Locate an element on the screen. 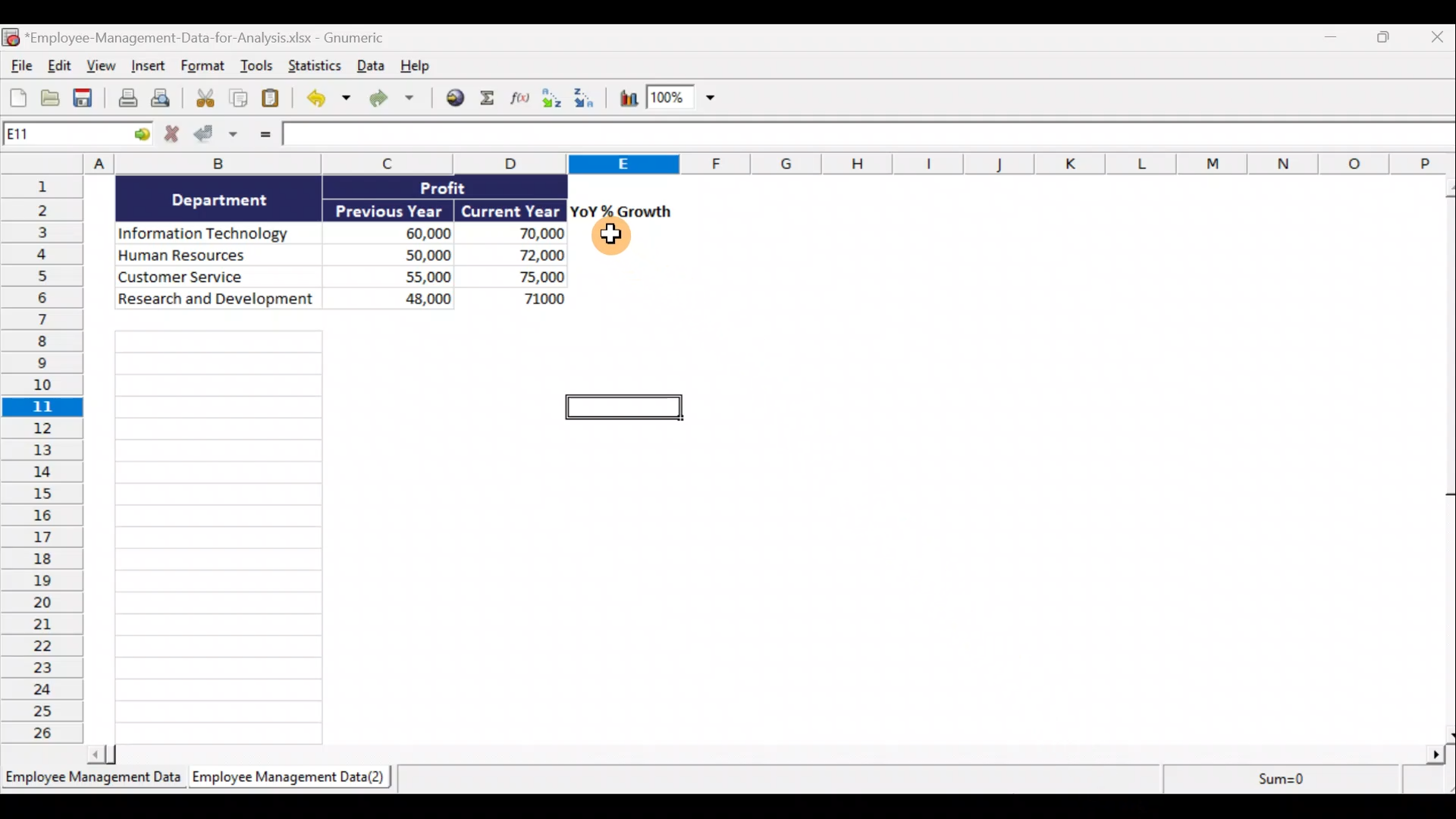 Image resolution: width=1456 pixels, height=819 pixels. Tools is located at coordinates (259, 68).